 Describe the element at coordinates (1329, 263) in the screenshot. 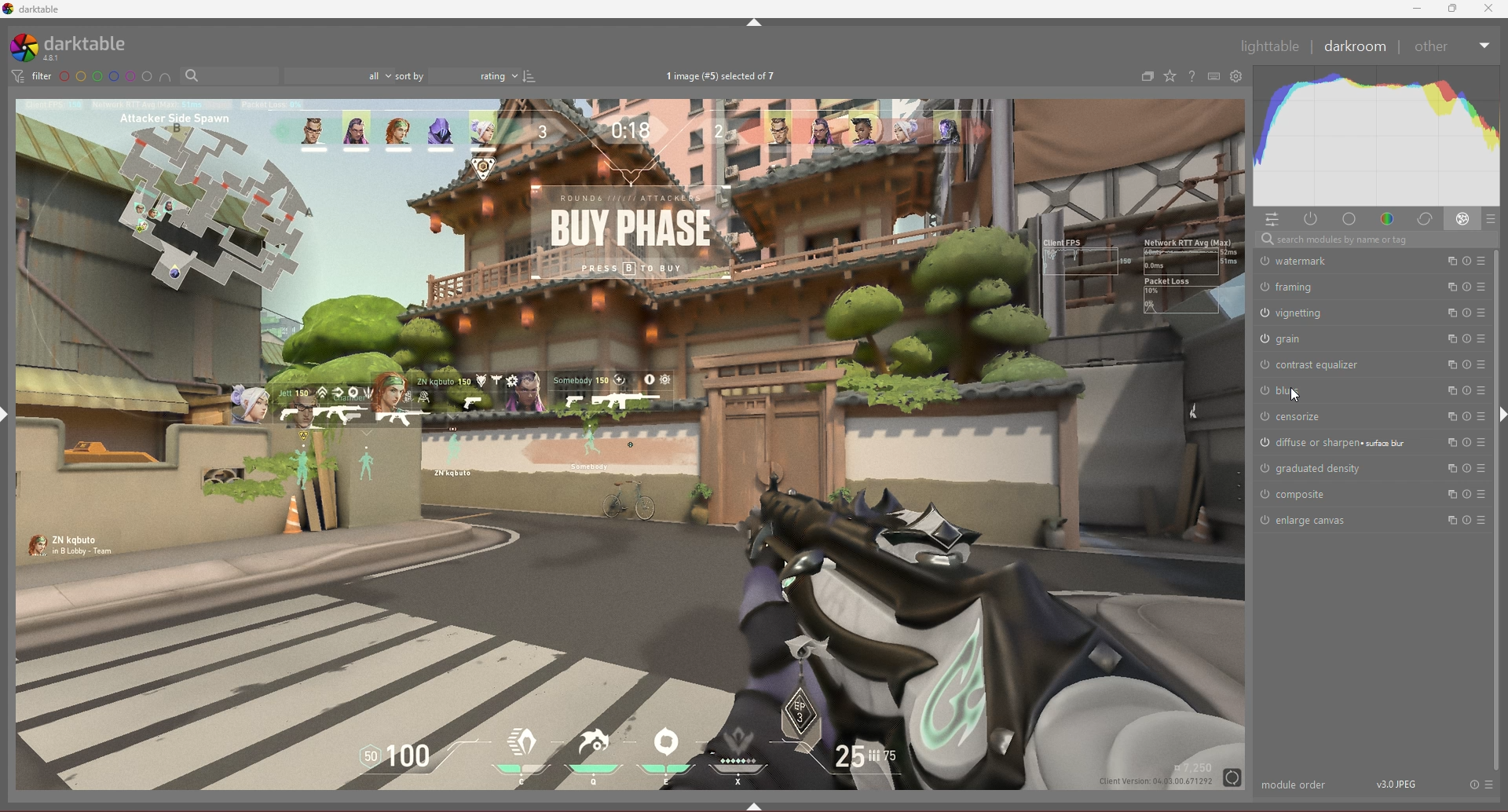

I see `watermark` at that location.